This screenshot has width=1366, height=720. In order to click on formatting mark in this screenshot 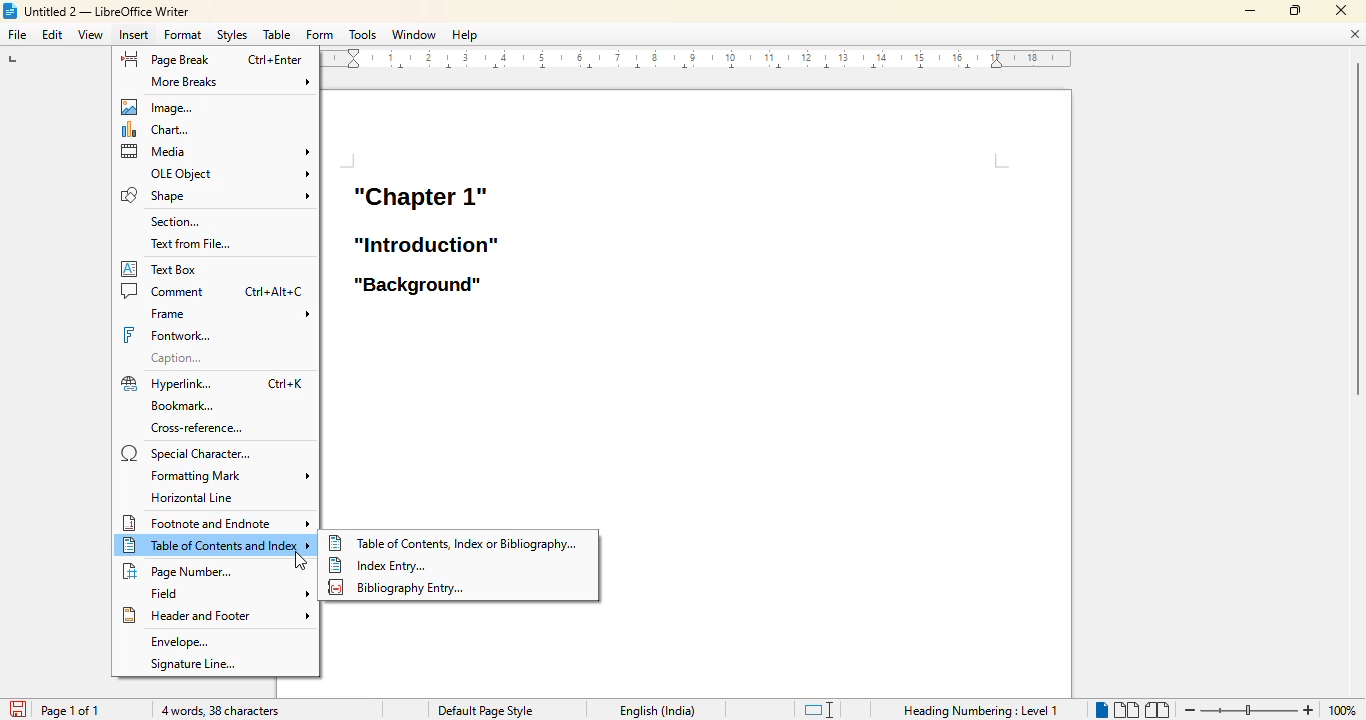, I will do `click(229, 475)`.